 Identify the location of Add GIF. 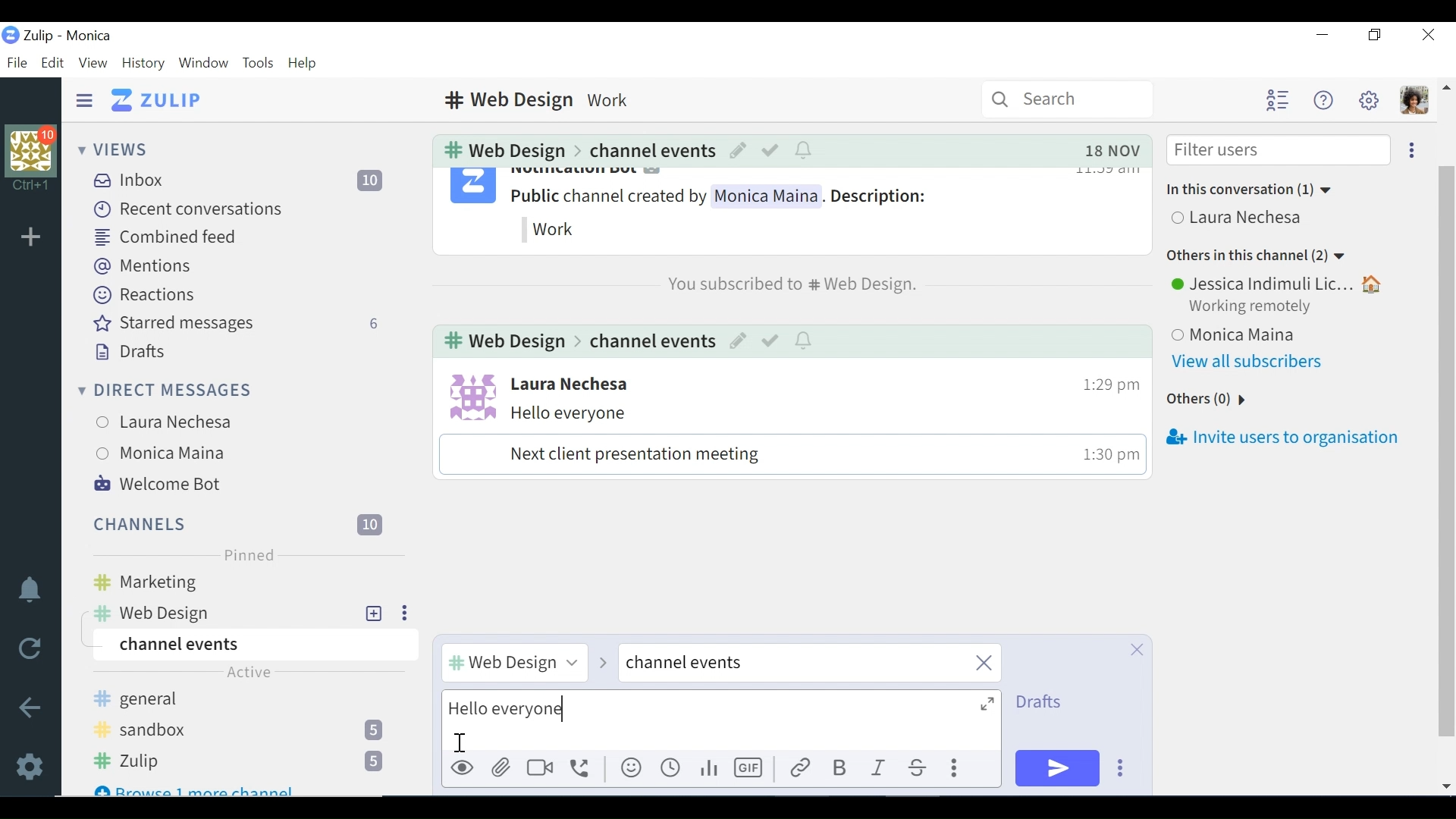
(752, 768).